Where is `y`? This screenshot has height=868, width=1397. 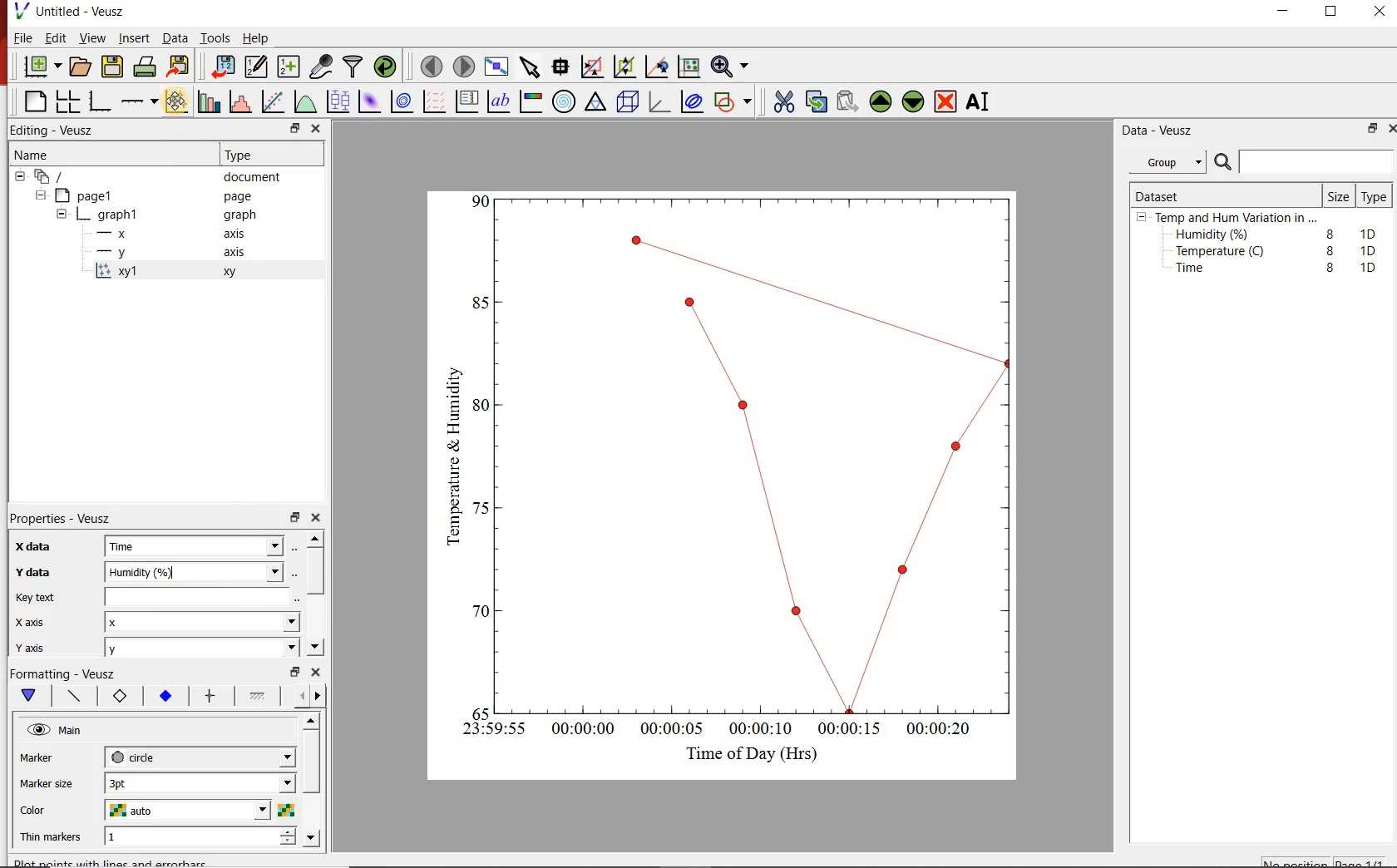 y is located at coordinates (136, 650).